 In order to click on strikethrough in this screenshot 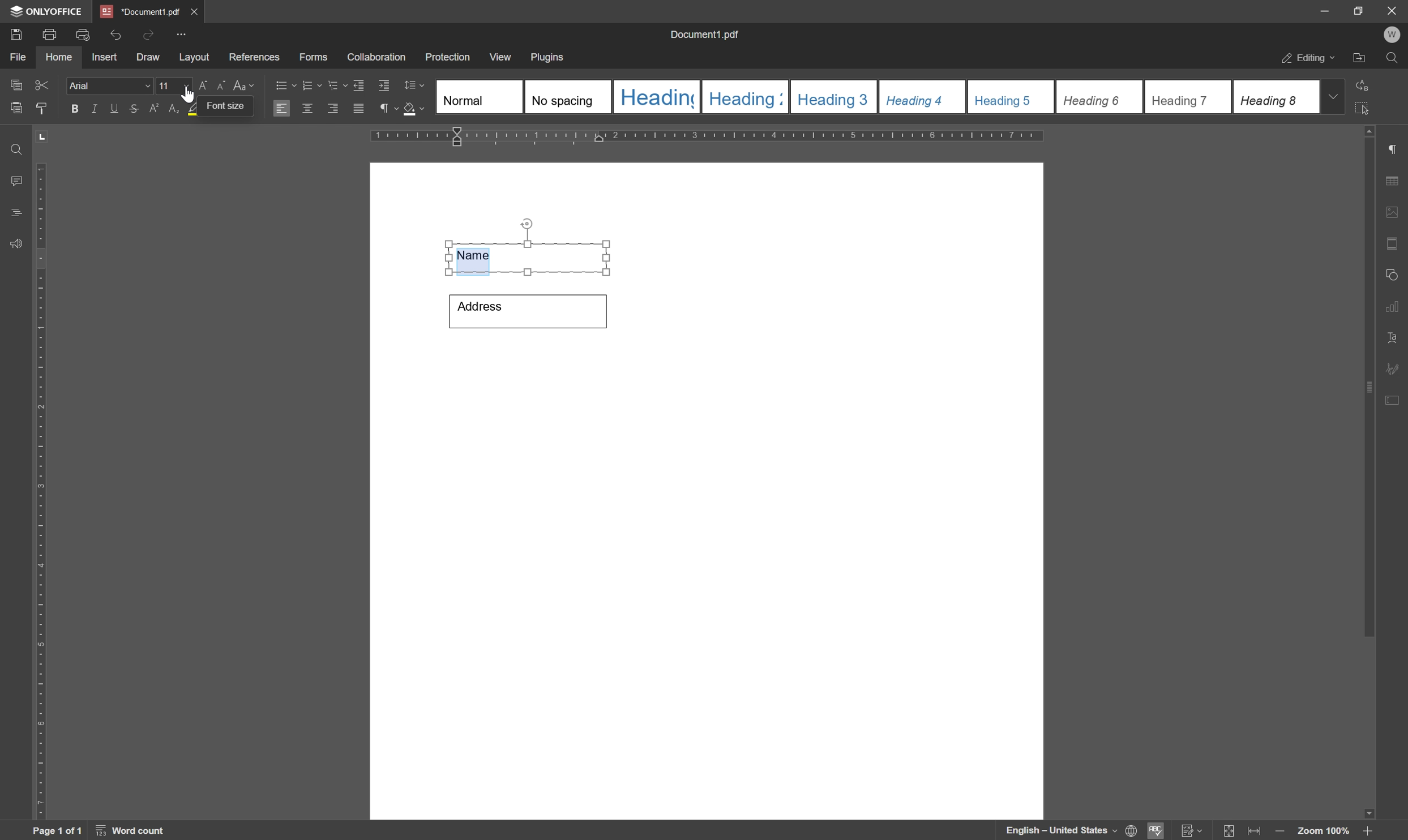, I will do `click(133, 110)`.